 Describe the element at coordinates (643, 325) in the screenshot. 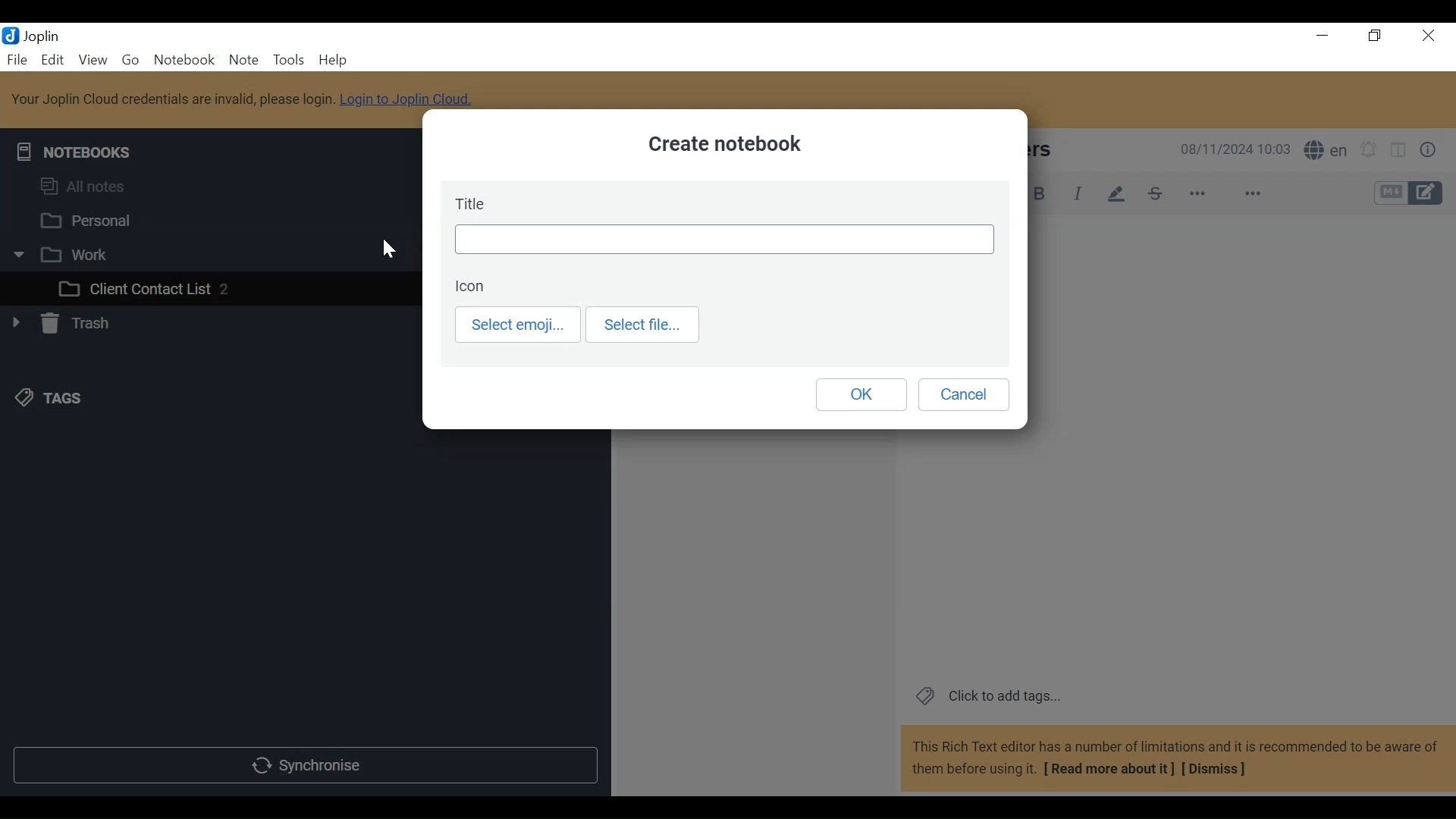

I see `Select file` at that location.